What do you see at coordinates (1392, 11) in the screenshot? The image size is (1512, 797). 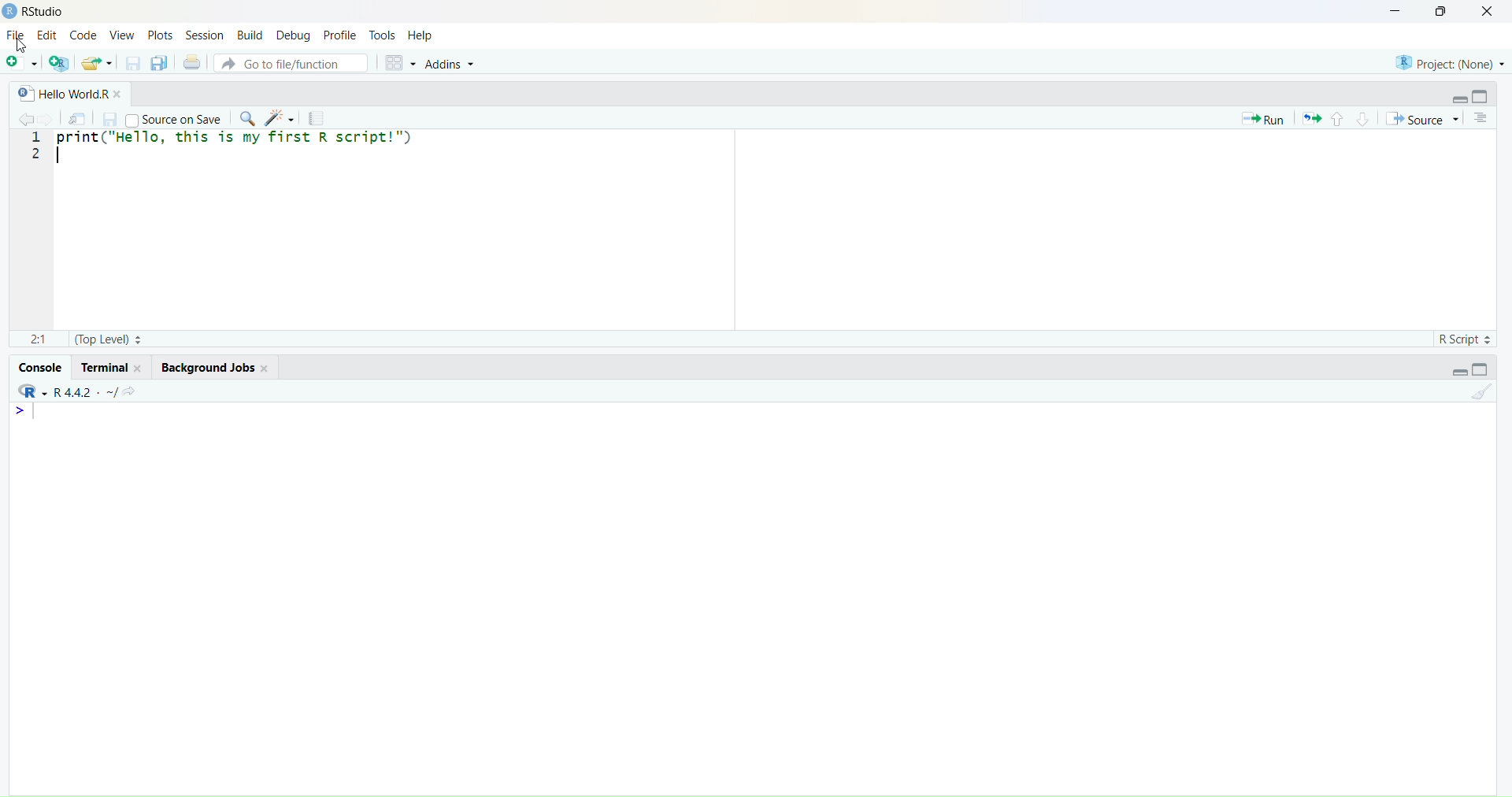 I see `Minimize` at bounding box center [1392, 11].